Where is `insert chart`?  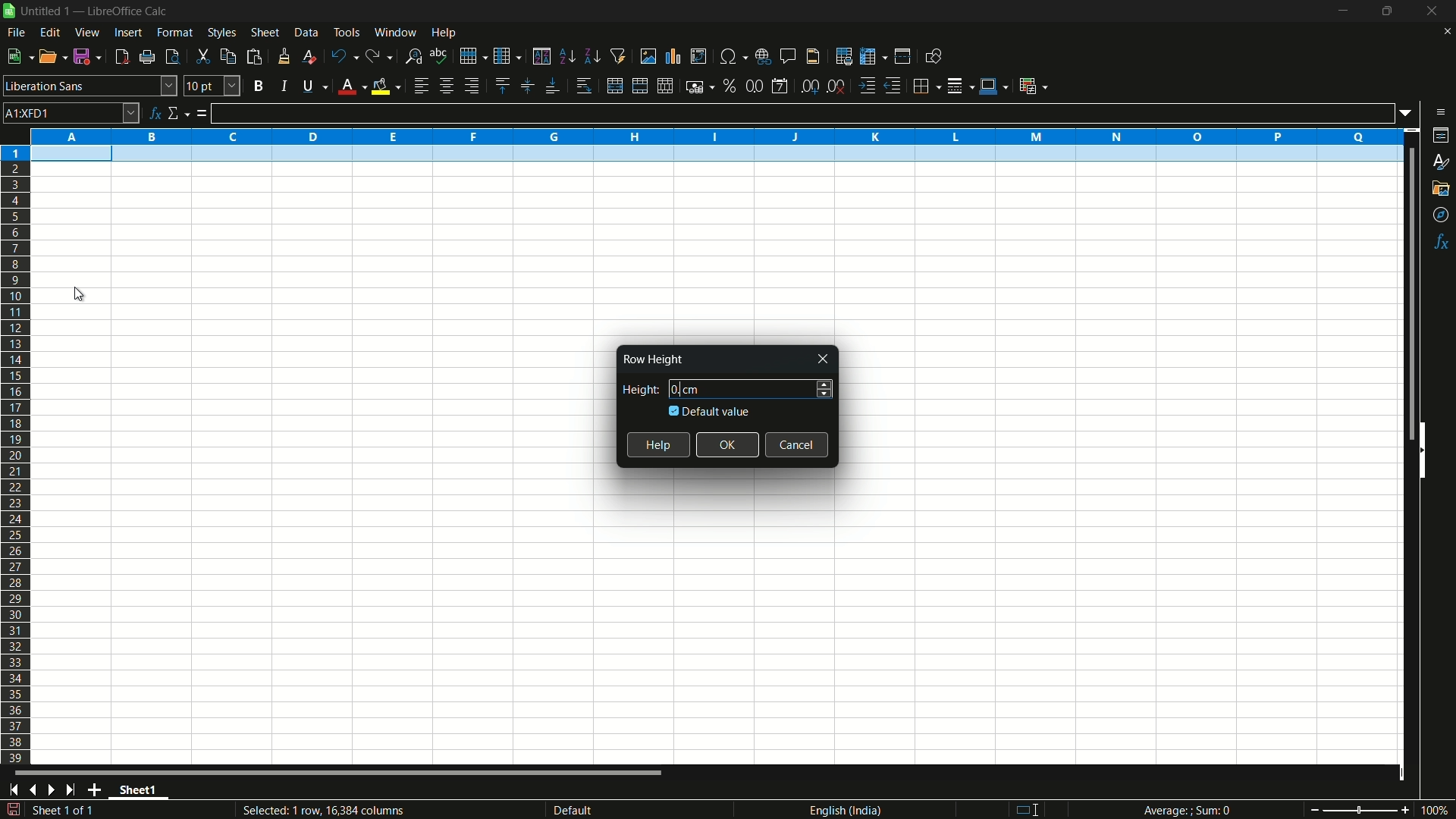
insert chart is located at coordinates (673, 55).